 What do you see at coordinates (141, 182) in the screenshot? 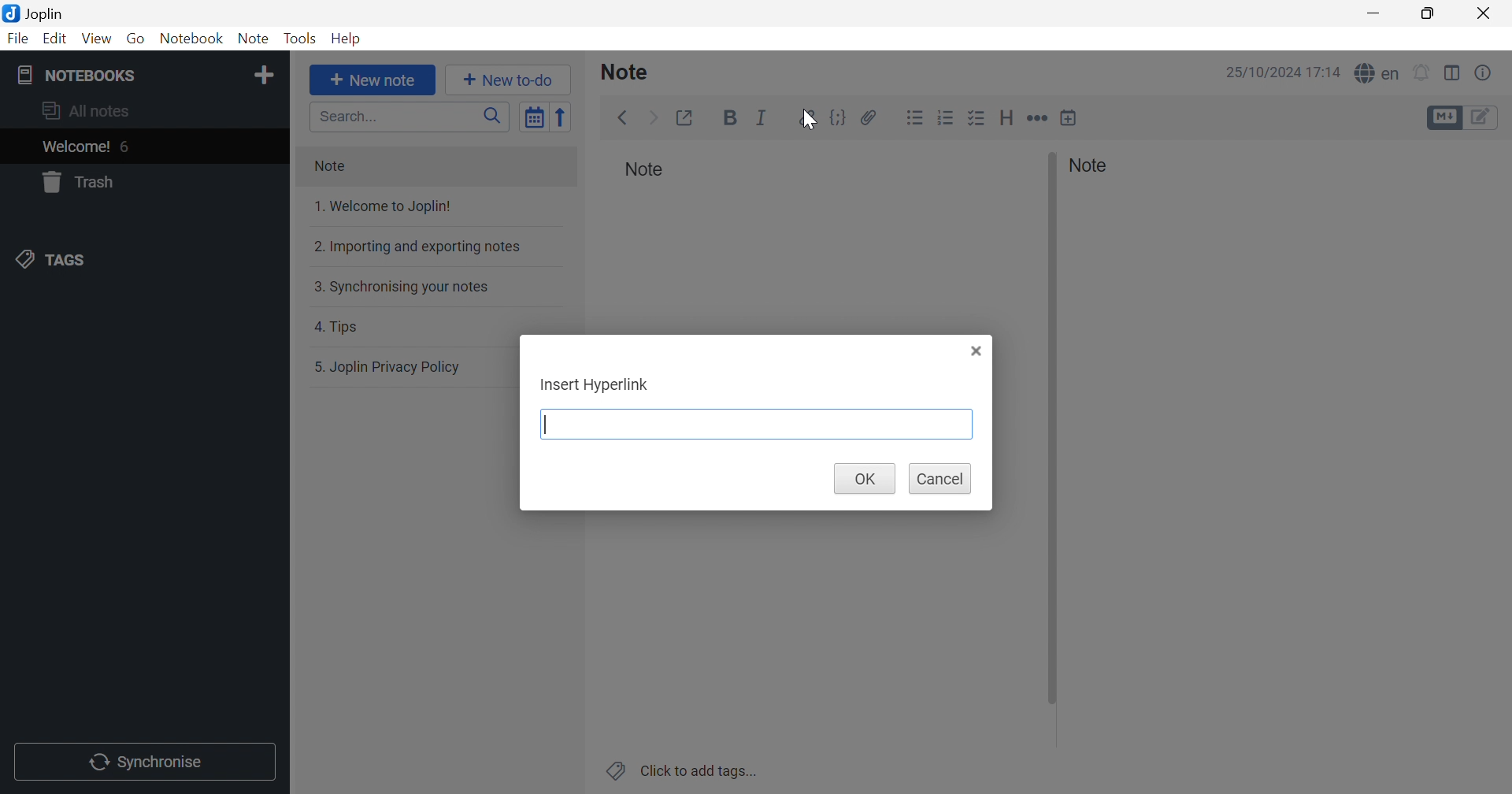
I see `Trash` at bounding box center [141, 182].